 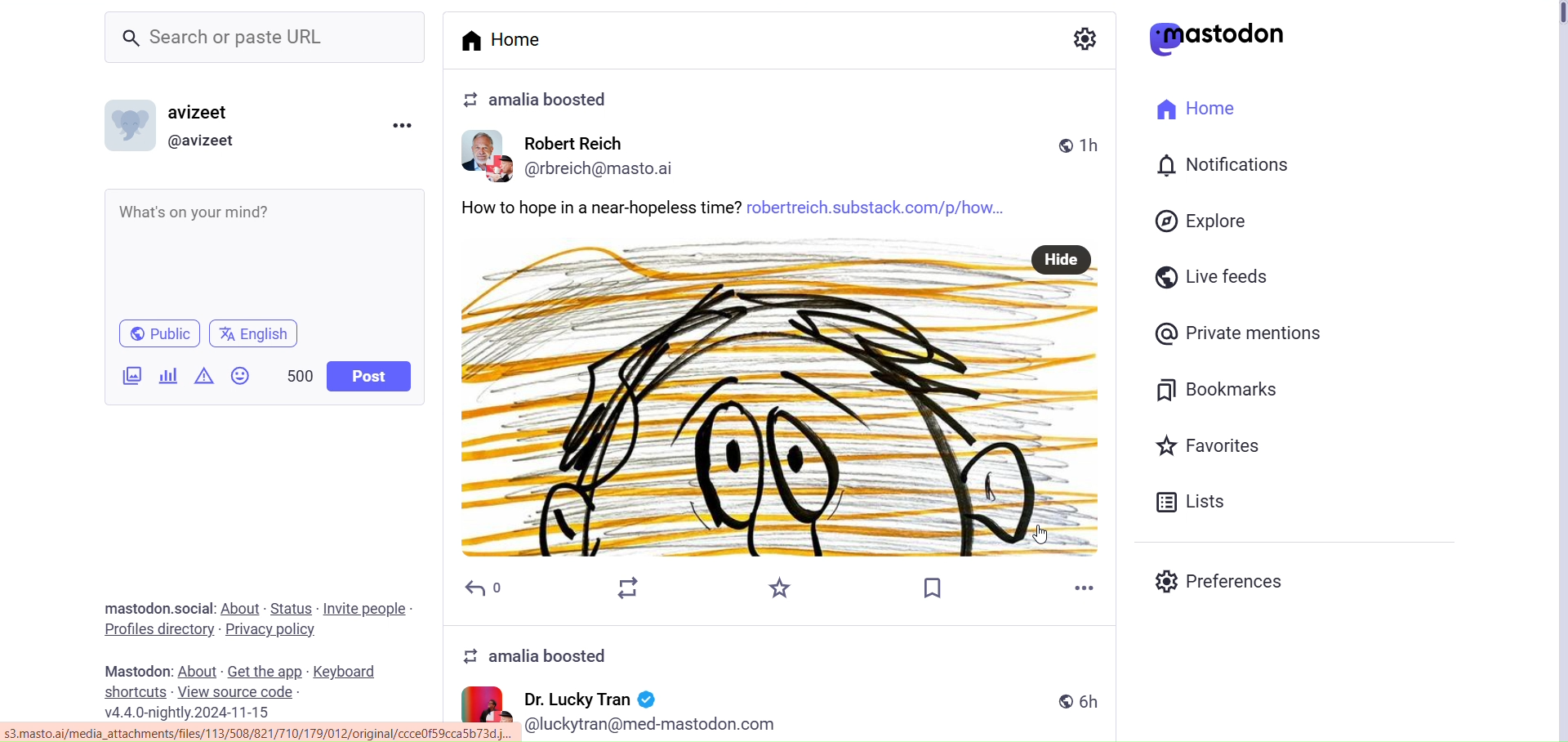 I want to click on text, so click(x=600, y=205).